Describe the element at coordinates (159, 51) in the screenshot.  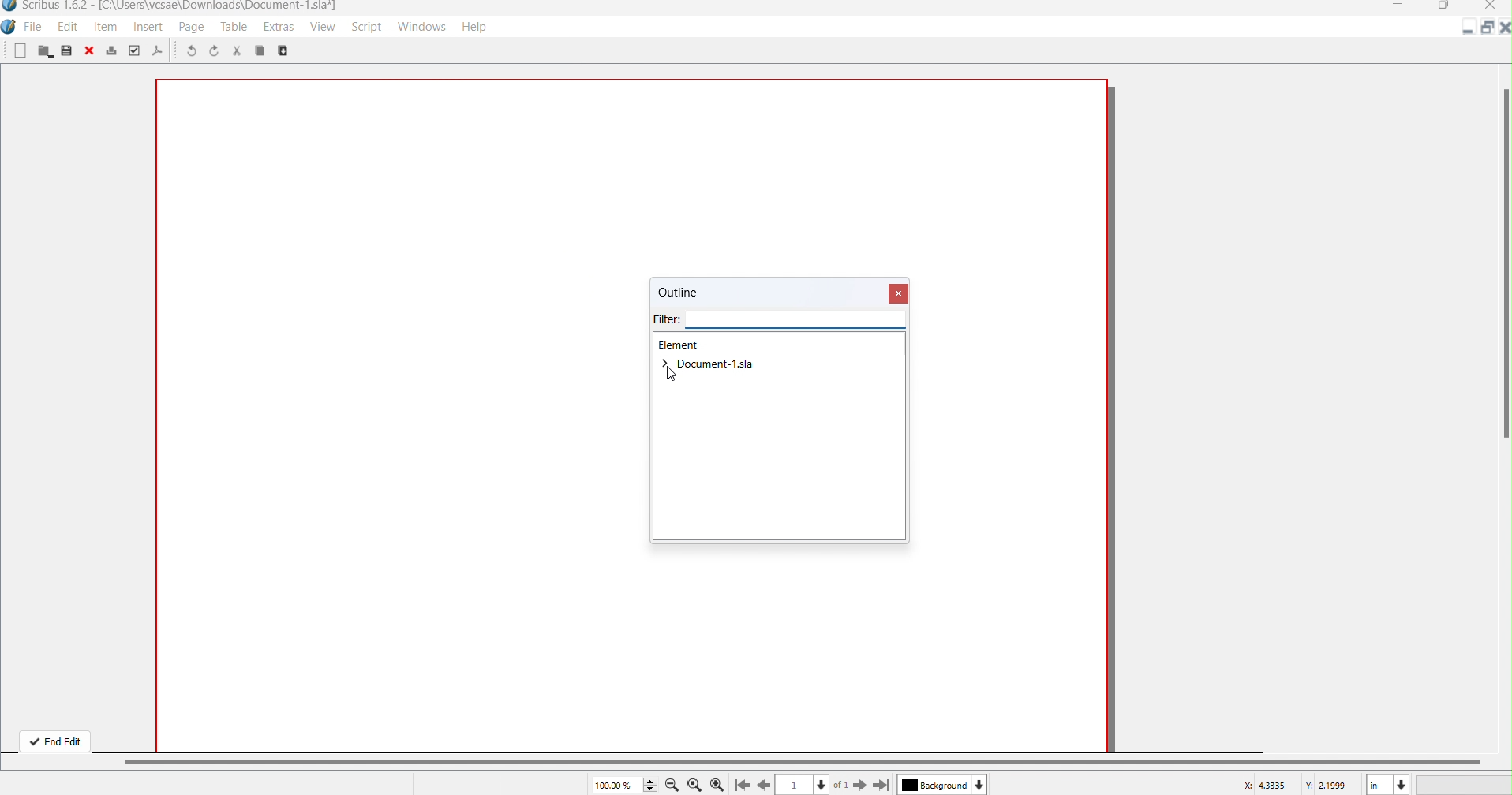
I see `` at that location.